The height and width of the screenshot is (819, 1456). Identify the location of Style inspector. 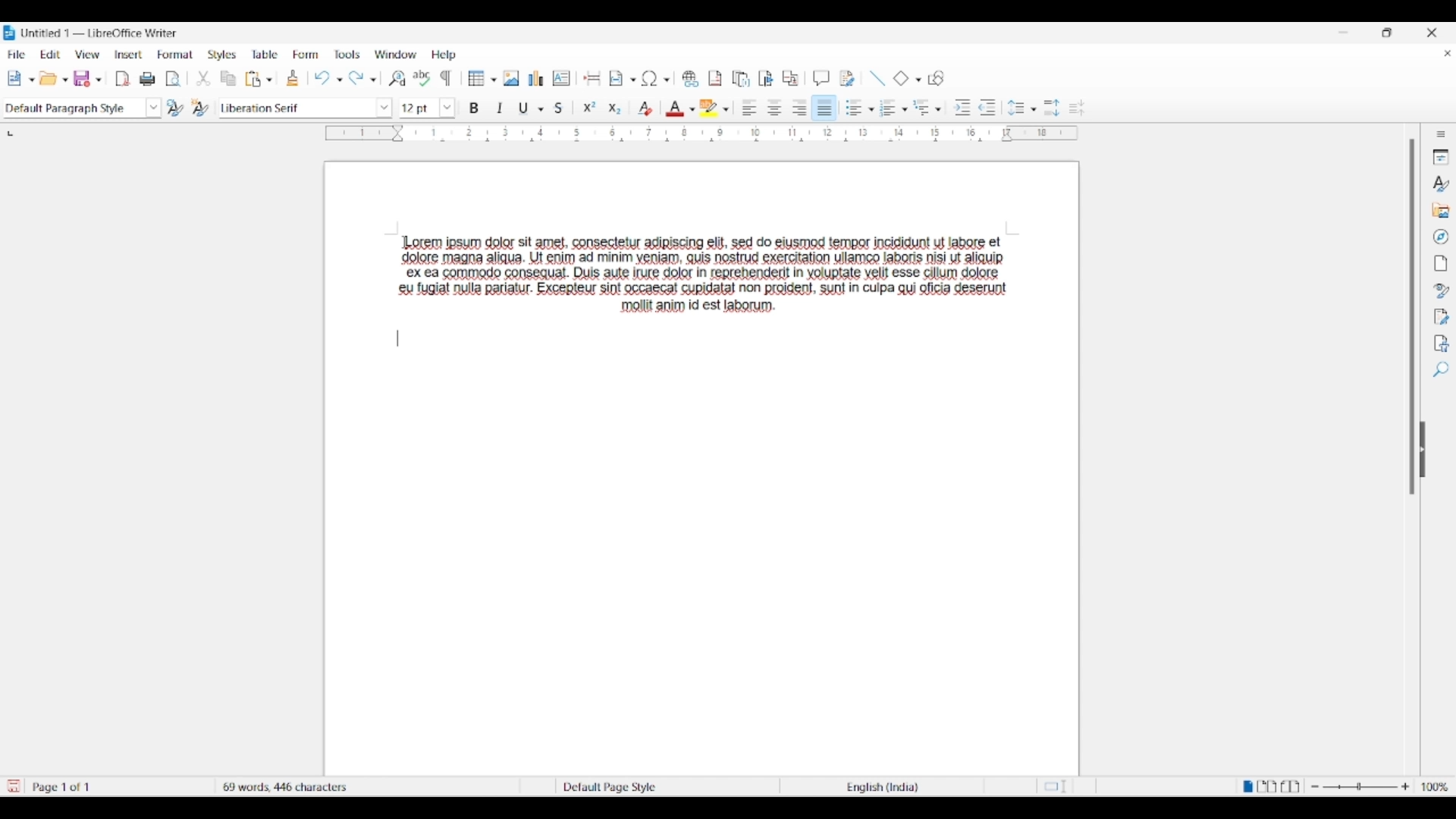
(1441, 291).